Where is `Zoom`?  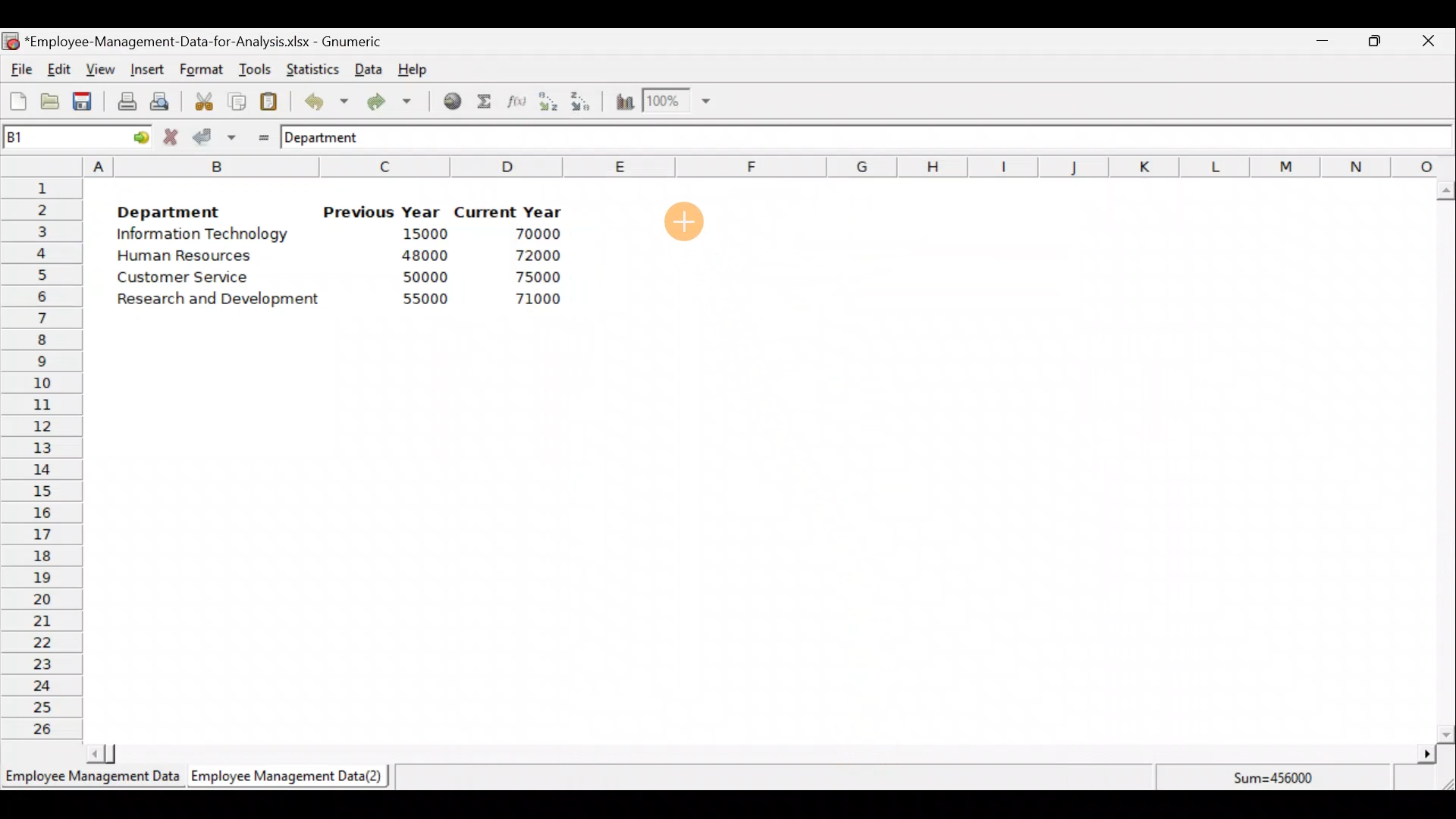 Zoom is located at coordinates (678, 101).